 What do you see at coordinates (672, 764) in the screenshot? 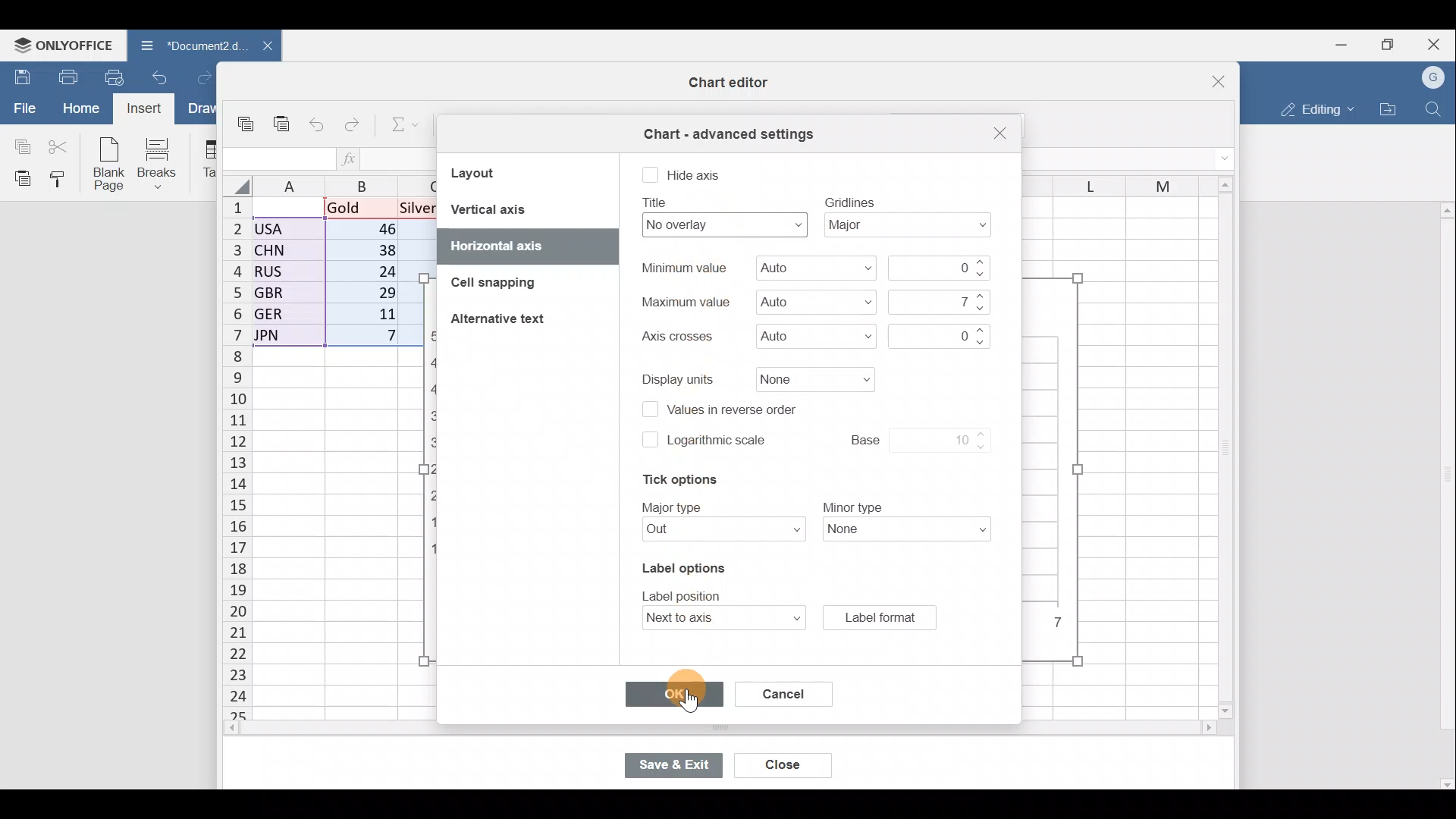
I see `Save & exit` at bounding box center [672, 764].